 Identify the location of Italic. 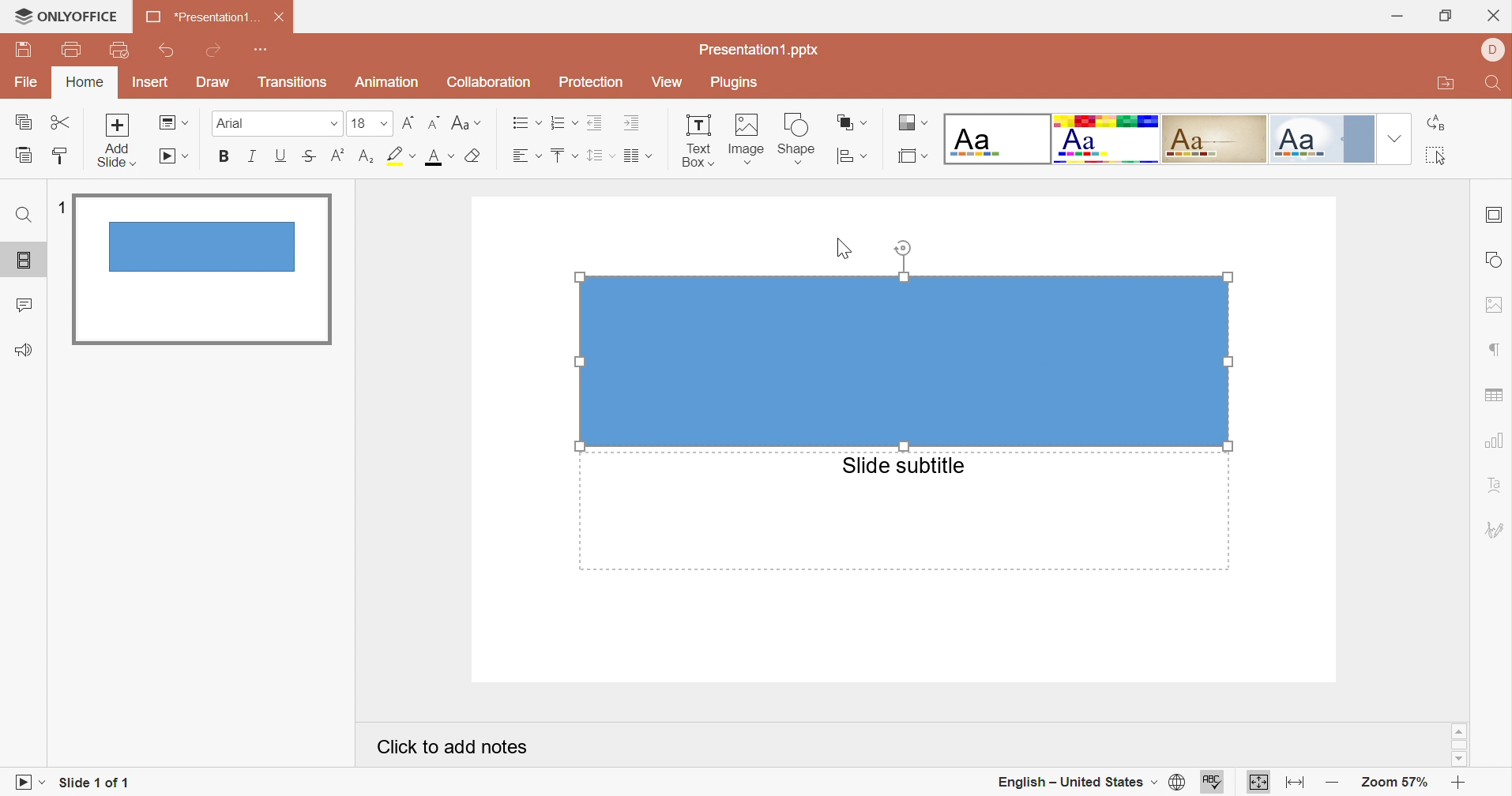
(250, 157).